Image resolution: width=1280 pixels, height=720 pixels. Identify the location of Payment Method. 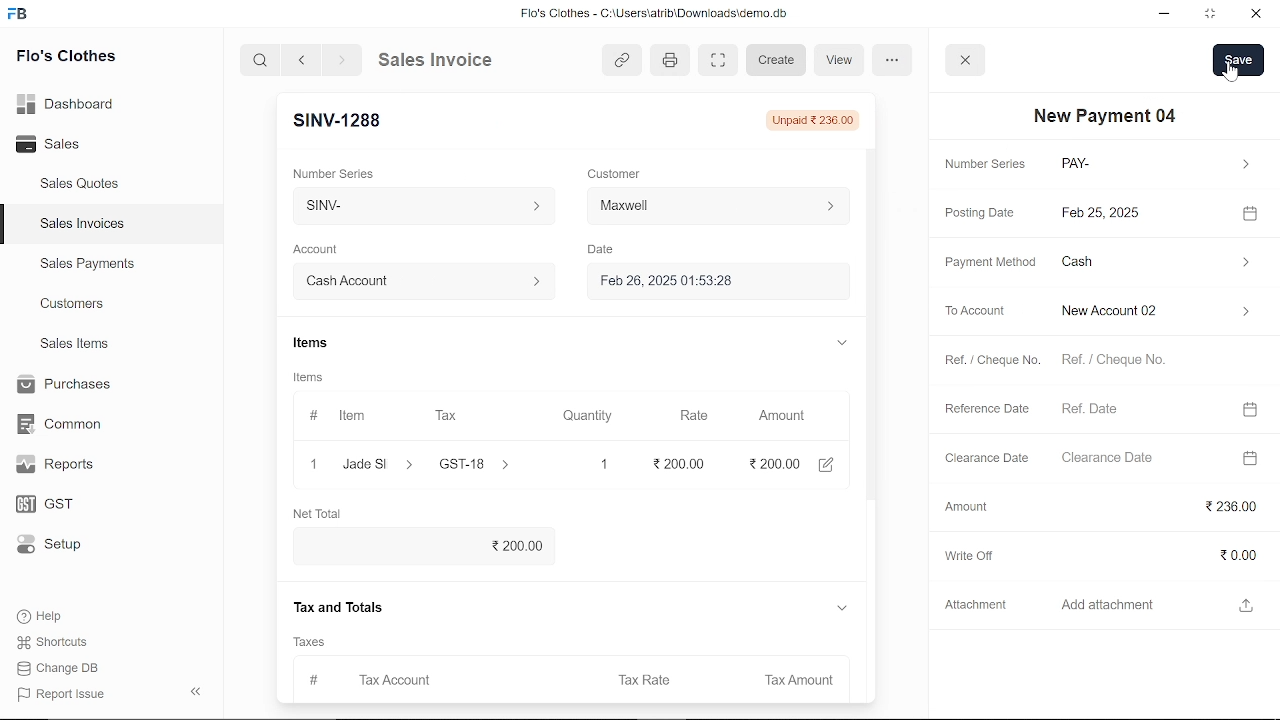
(986, 263).